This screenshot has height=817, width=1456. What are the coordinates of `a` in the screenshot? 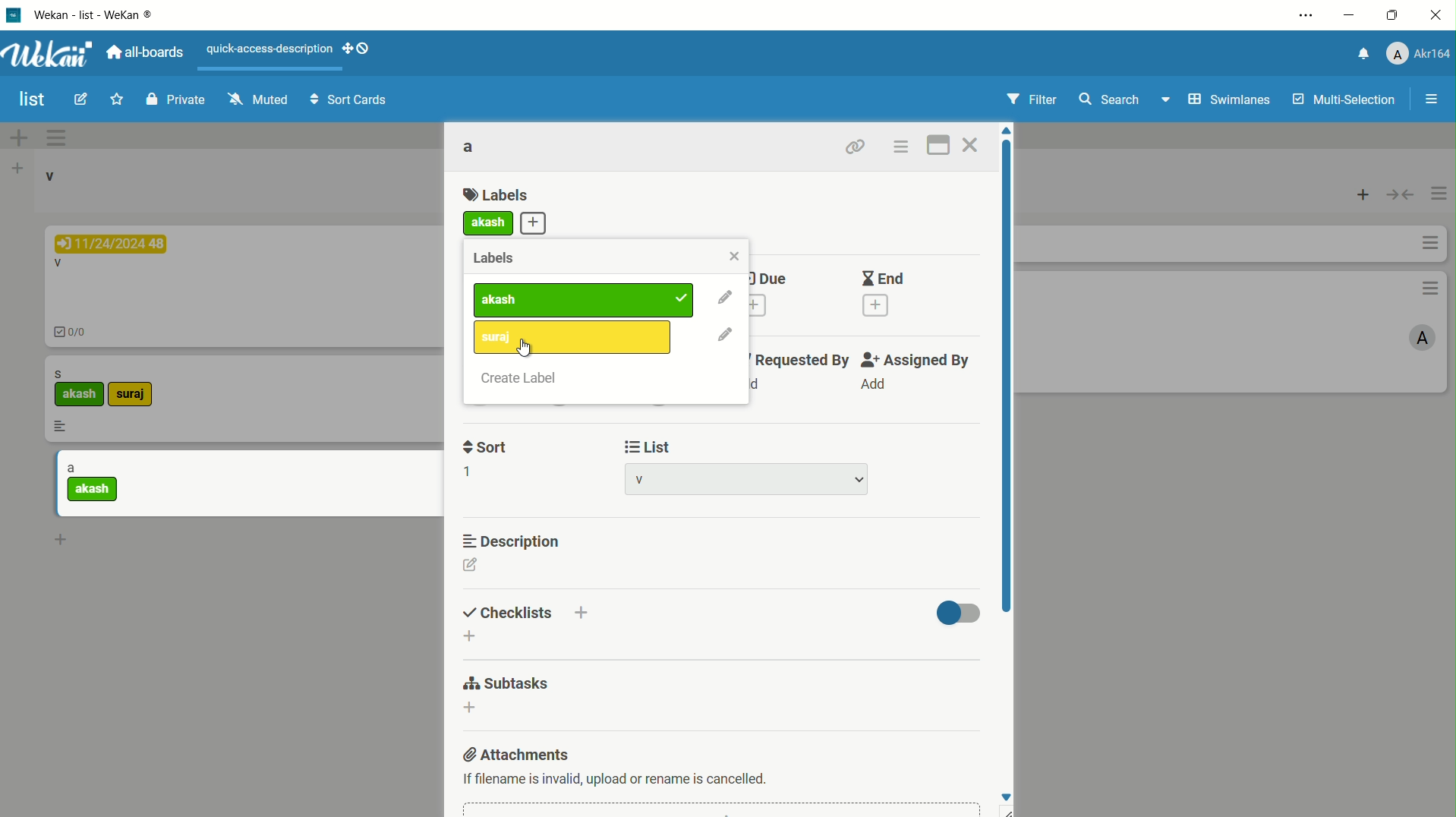 It's located at (71, 466).